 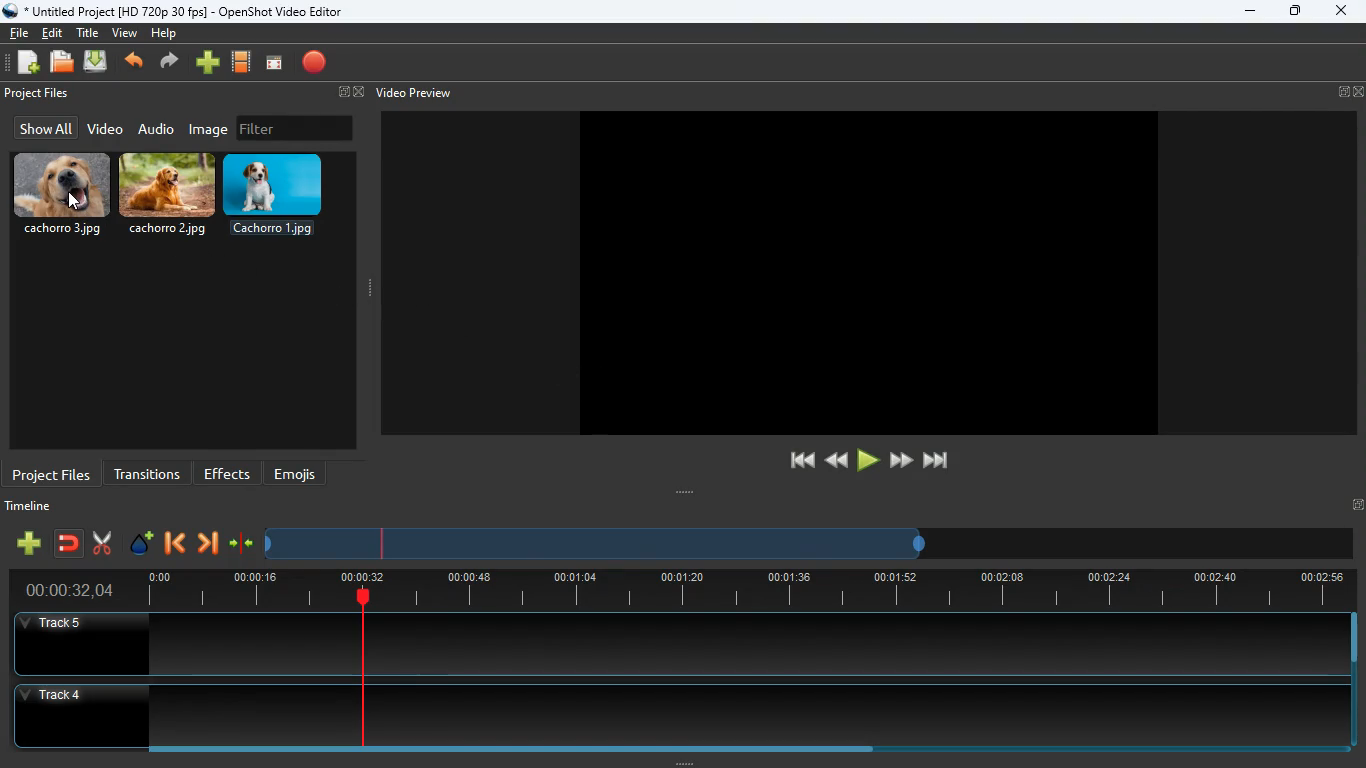 What do you see at coordinates (274, 64) in the screenshot?
I see `screen` at bounding box center [274, 64].